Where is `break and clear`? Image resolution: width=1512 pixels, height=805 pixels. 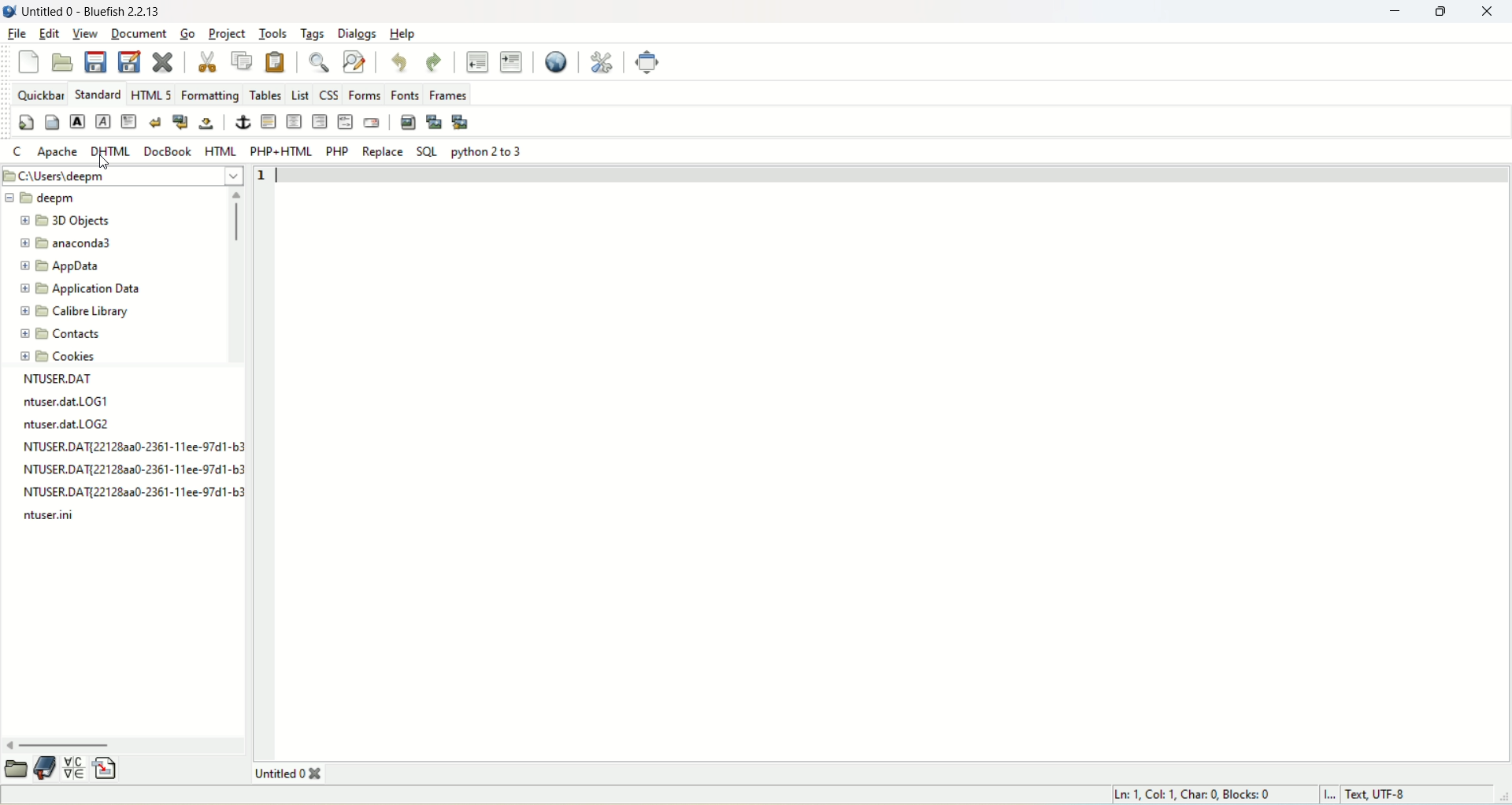
break and clear is located at coordinates (180, 121).